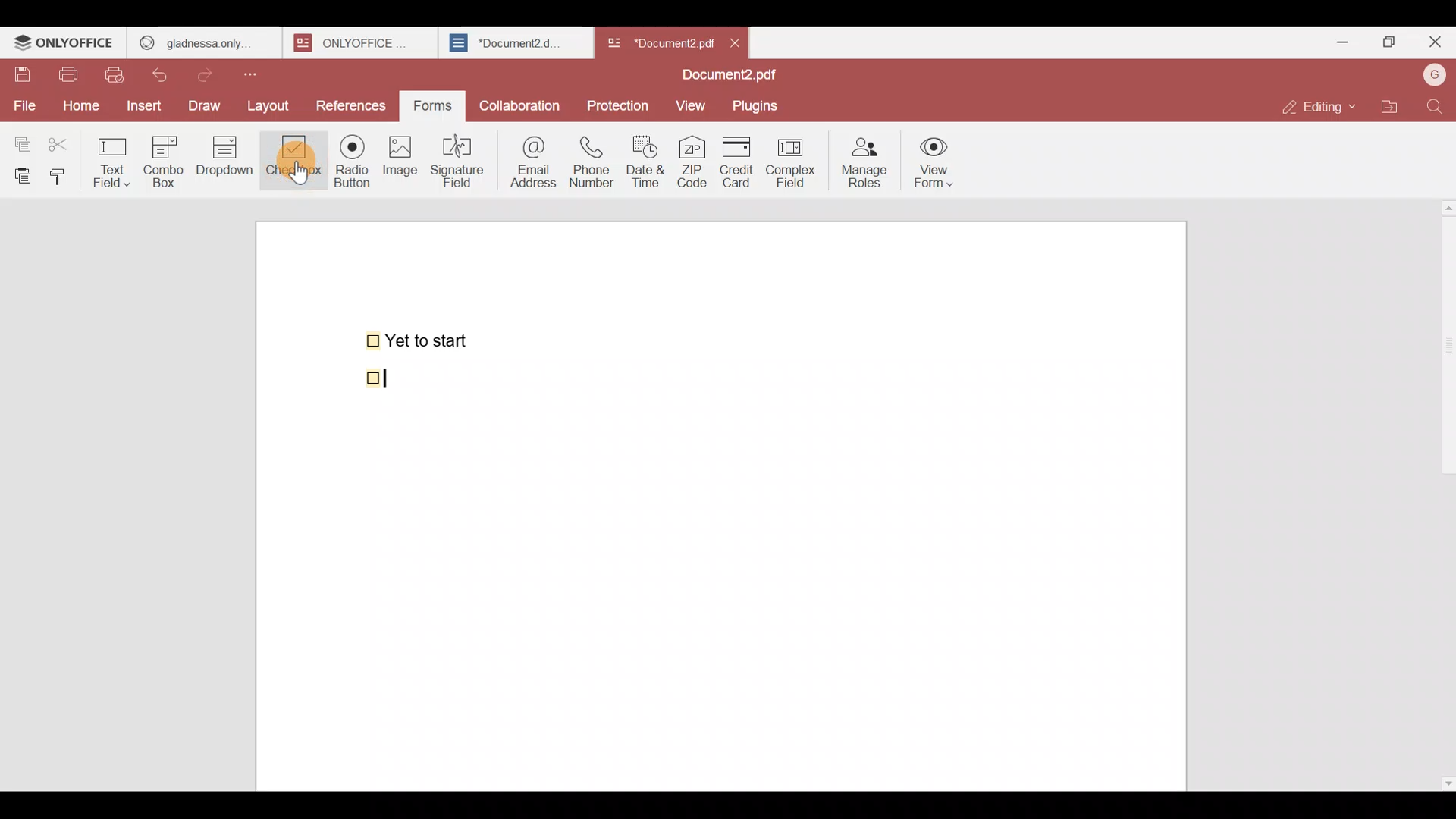  What do you see at coordinates (22, 75) in the screenshot?
I see `Save` at bounding box center [22, 75].